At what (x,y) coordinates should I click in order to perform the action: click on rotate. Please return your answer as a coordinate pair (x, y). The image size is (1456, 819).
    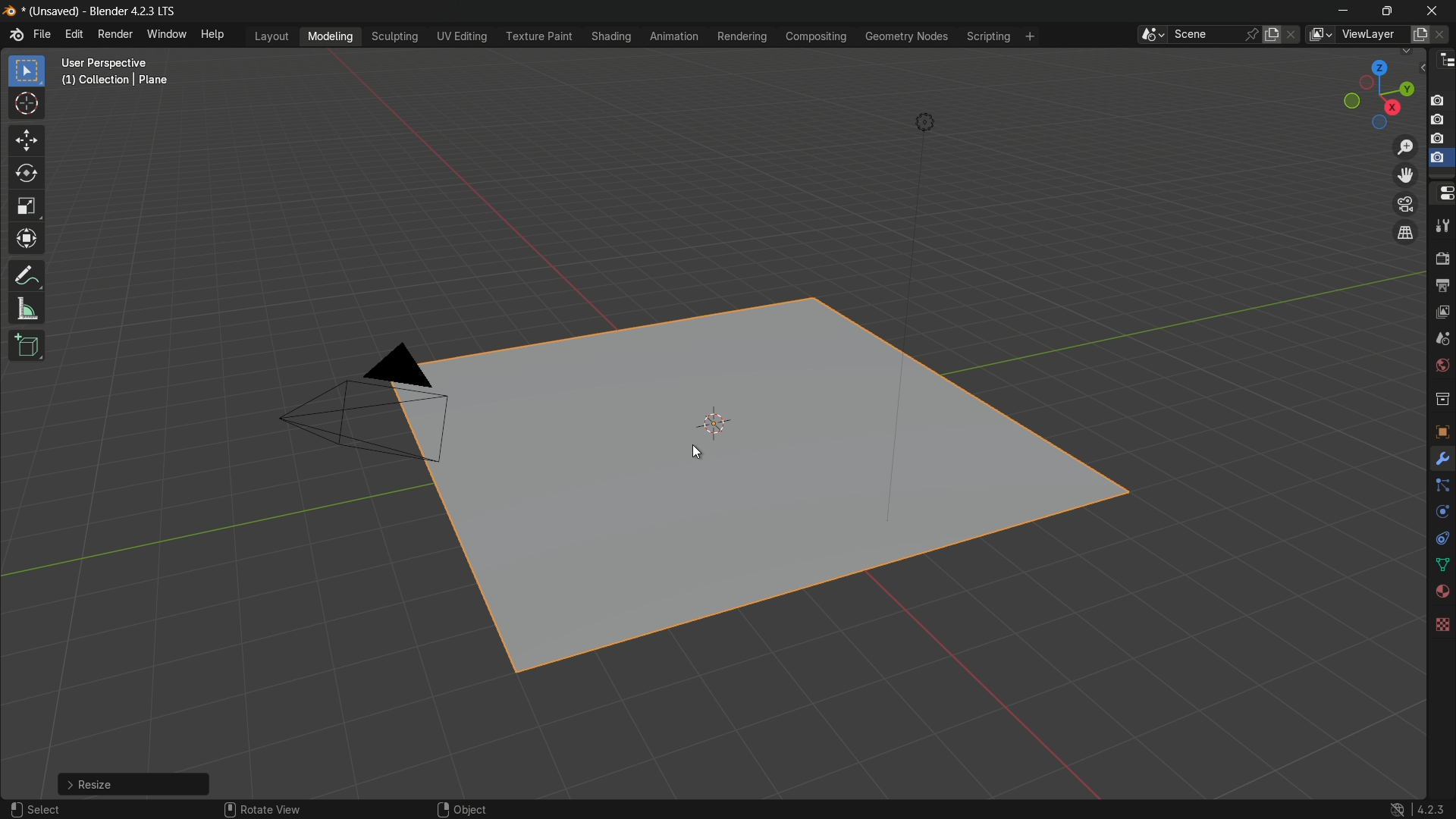
    Looking at the image, I should click on (28, 174).